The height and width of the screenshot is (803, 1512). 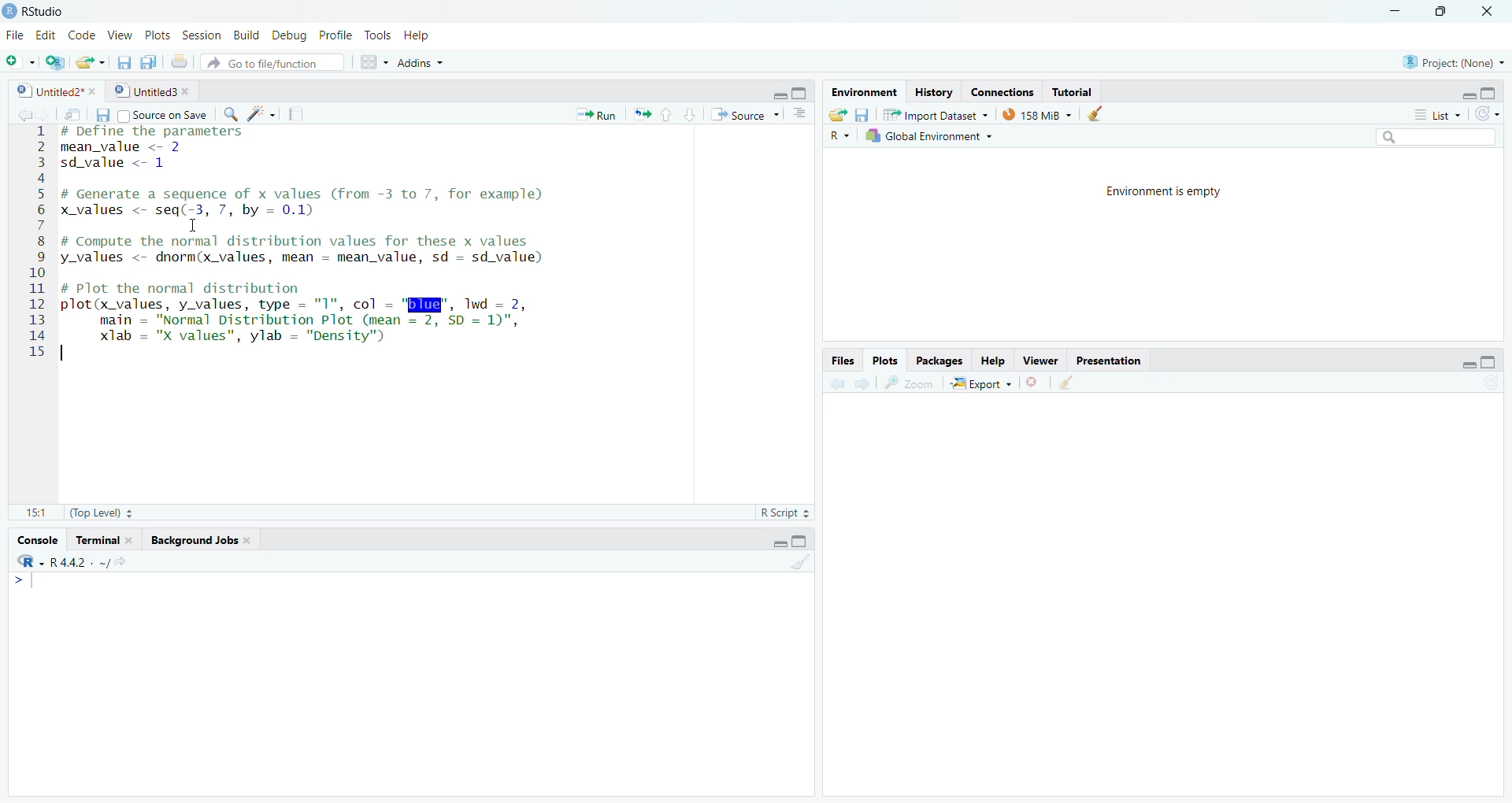 I want to click on show in new window, so click(x=1078, y=382).